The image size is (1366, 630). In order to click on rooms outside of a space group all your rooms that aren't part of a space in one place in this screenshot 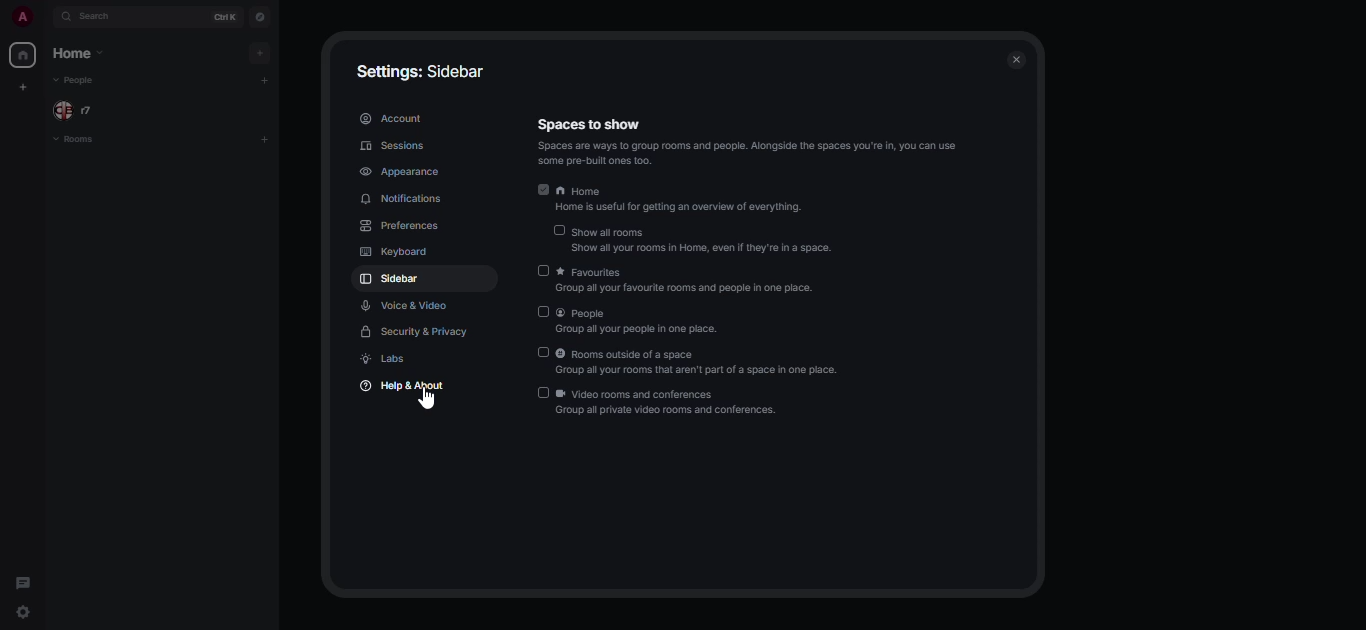, I will do `click(701, 361)`.